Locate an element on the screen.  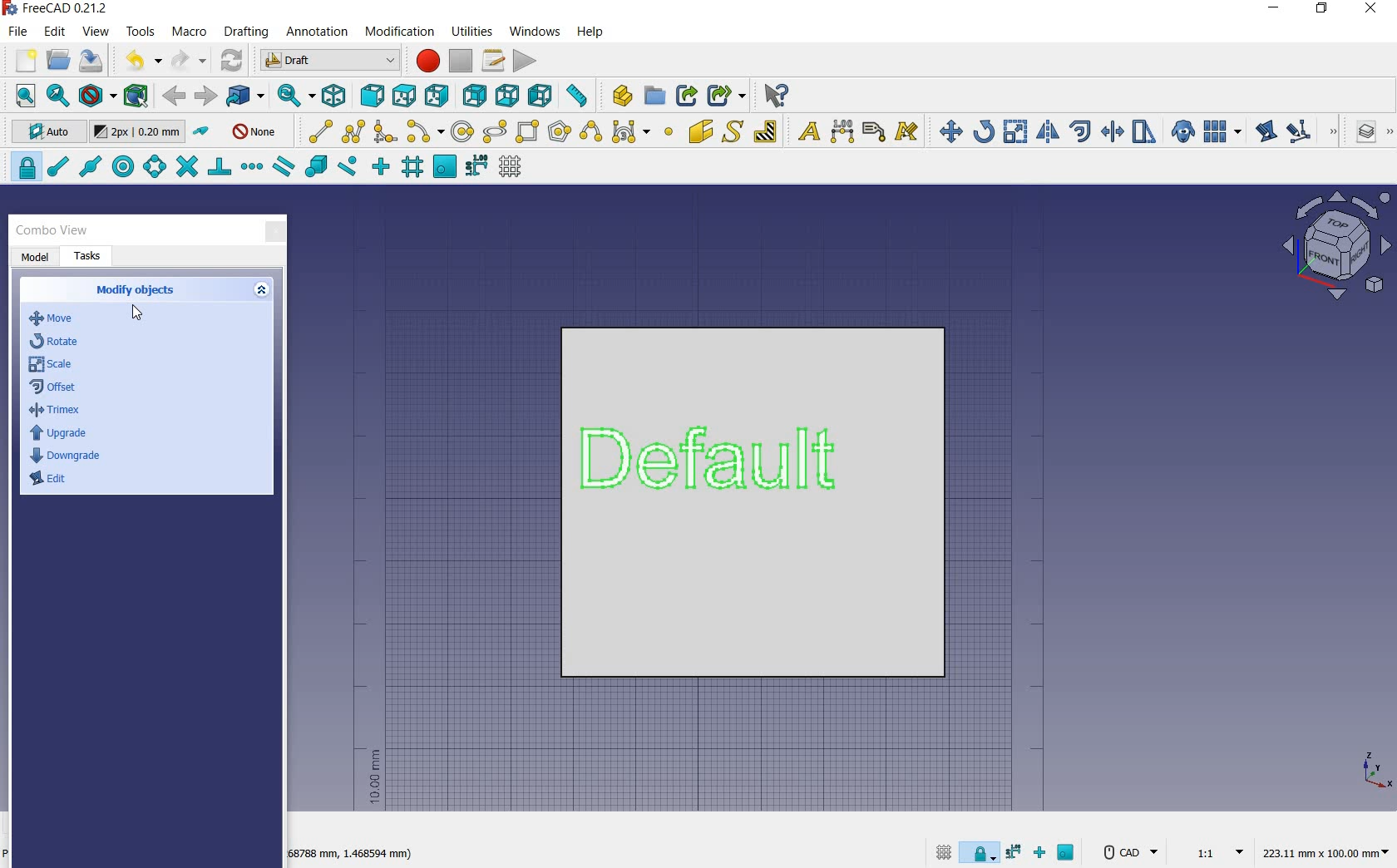
manage layers is located at coordinates (1358, 133).